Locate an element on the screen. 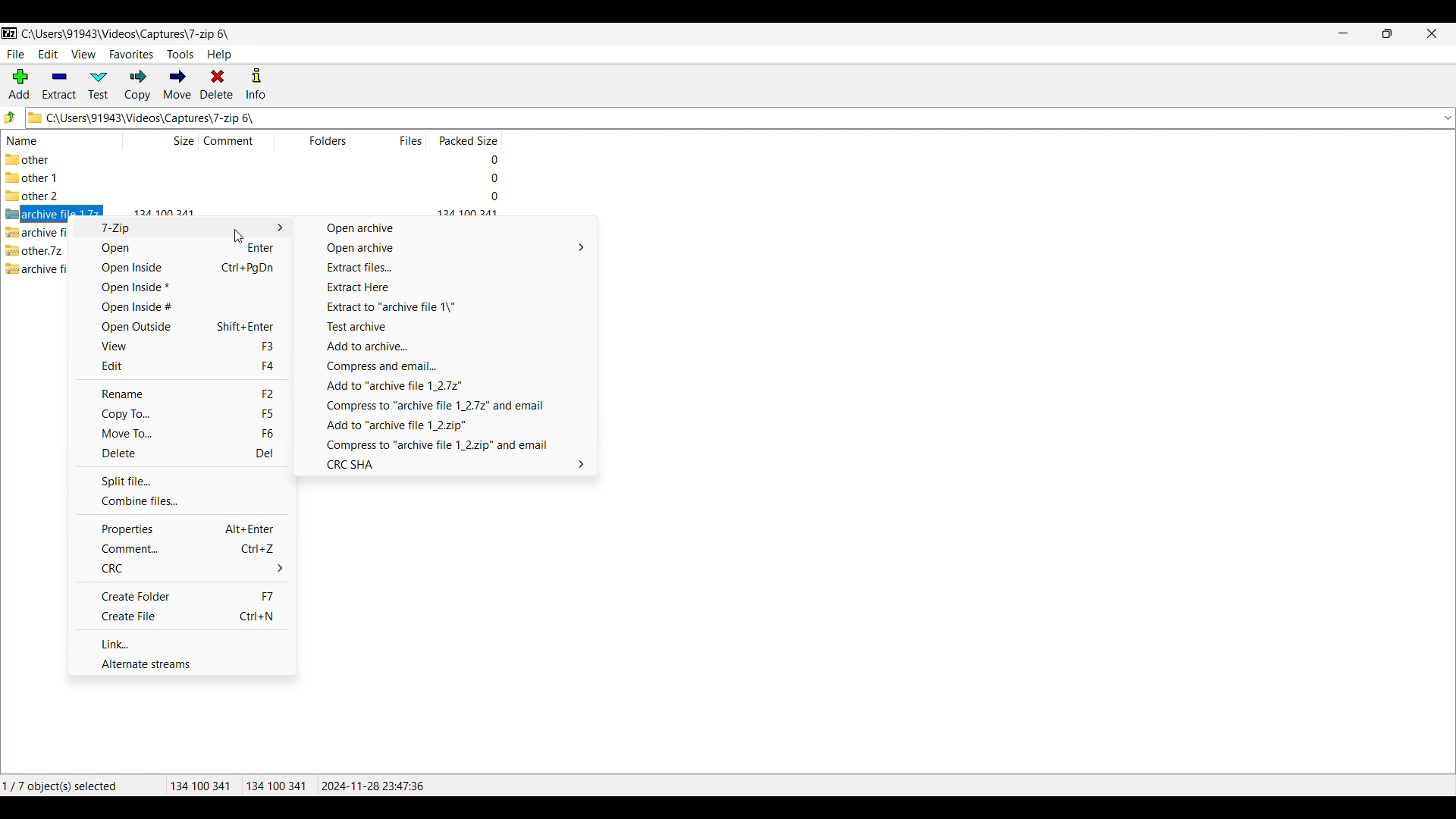 The image size is (1456, 819). Open outside is located at coordinates (180, 327).